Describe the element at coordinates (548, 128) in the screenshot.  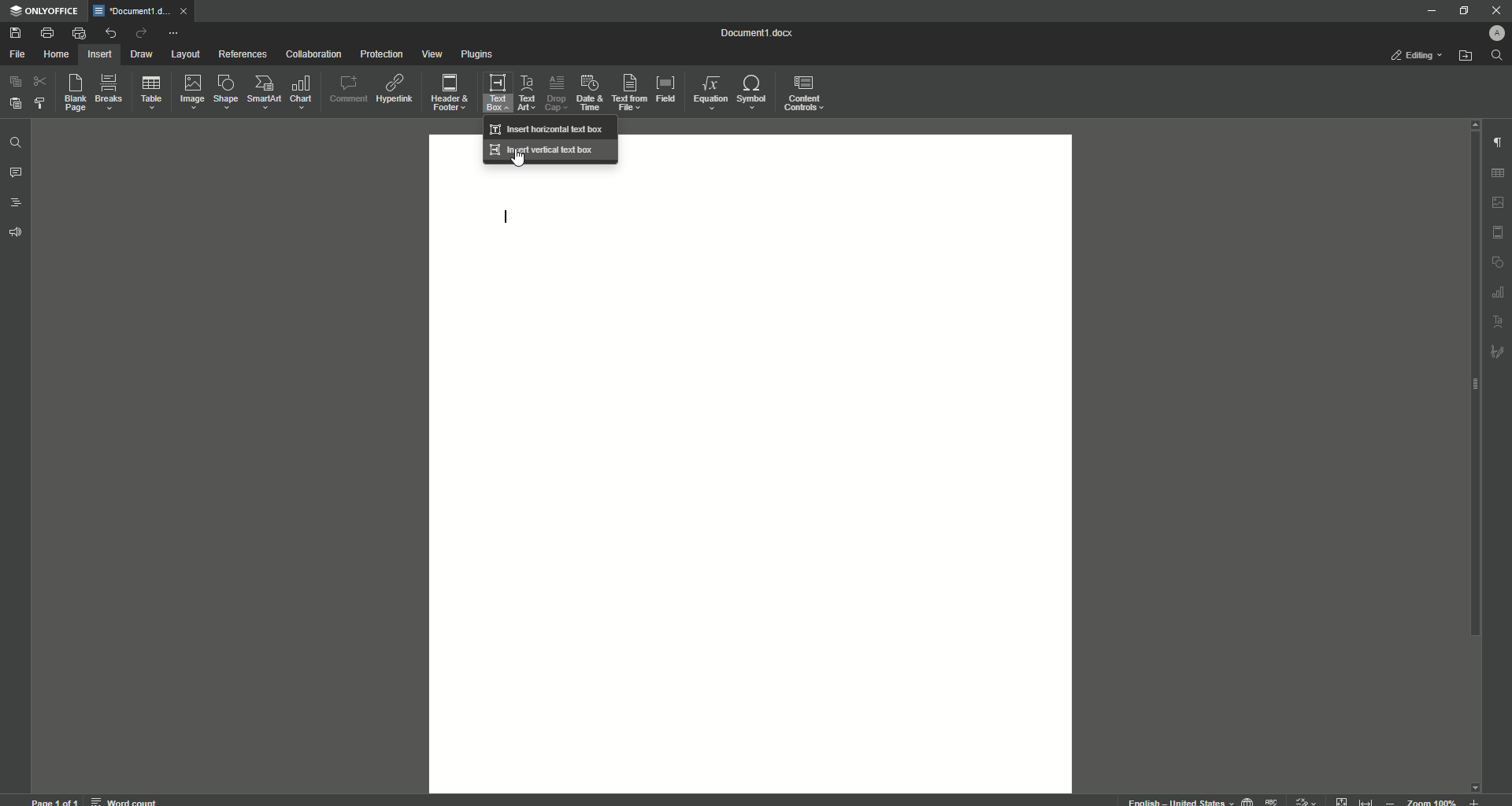
I see `Insert Horizontal Text Box` at that location.